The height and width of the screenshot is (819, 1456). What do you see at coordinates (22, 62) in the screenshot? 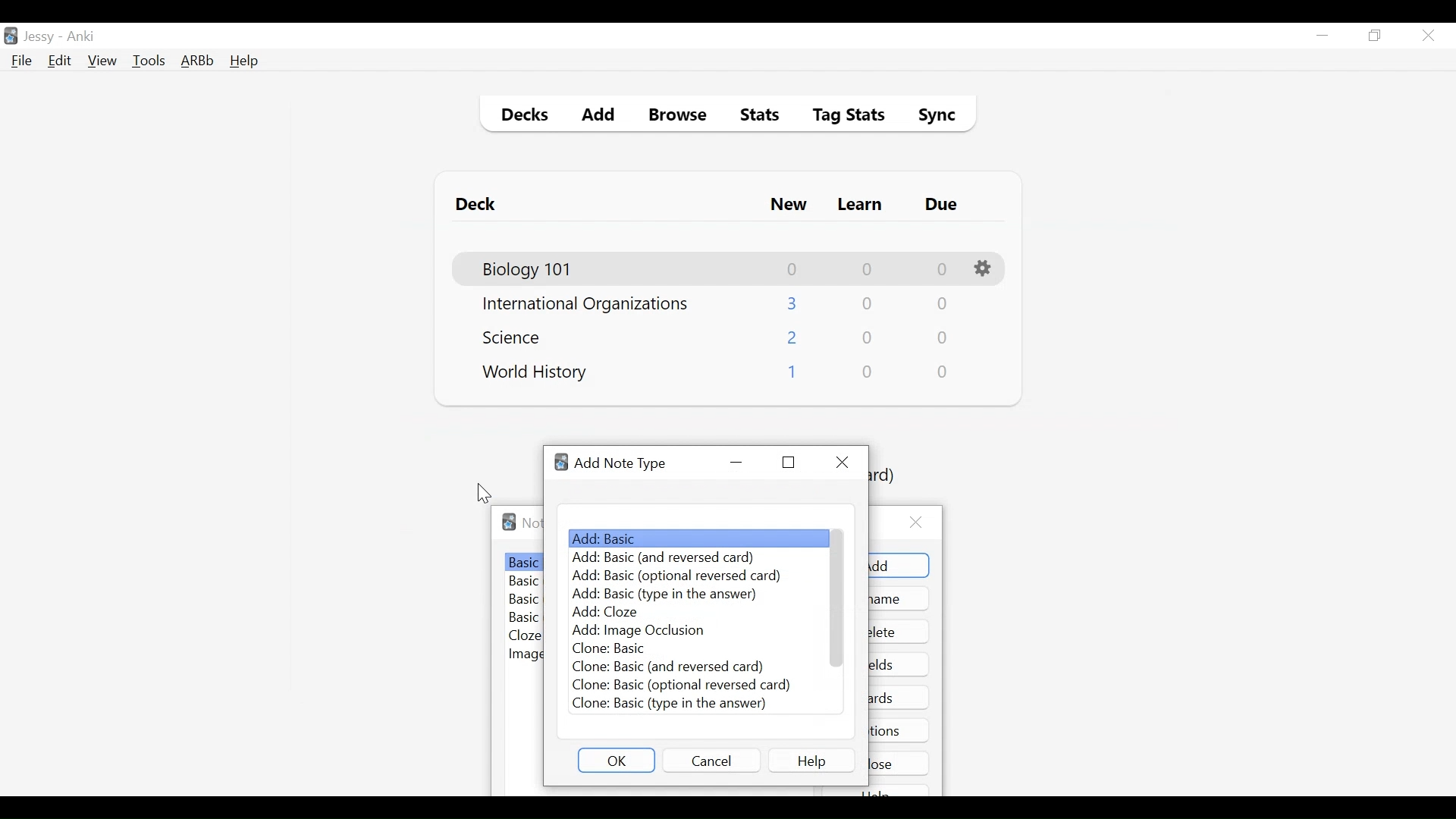
I see `File` at bounding box center [22, 62].